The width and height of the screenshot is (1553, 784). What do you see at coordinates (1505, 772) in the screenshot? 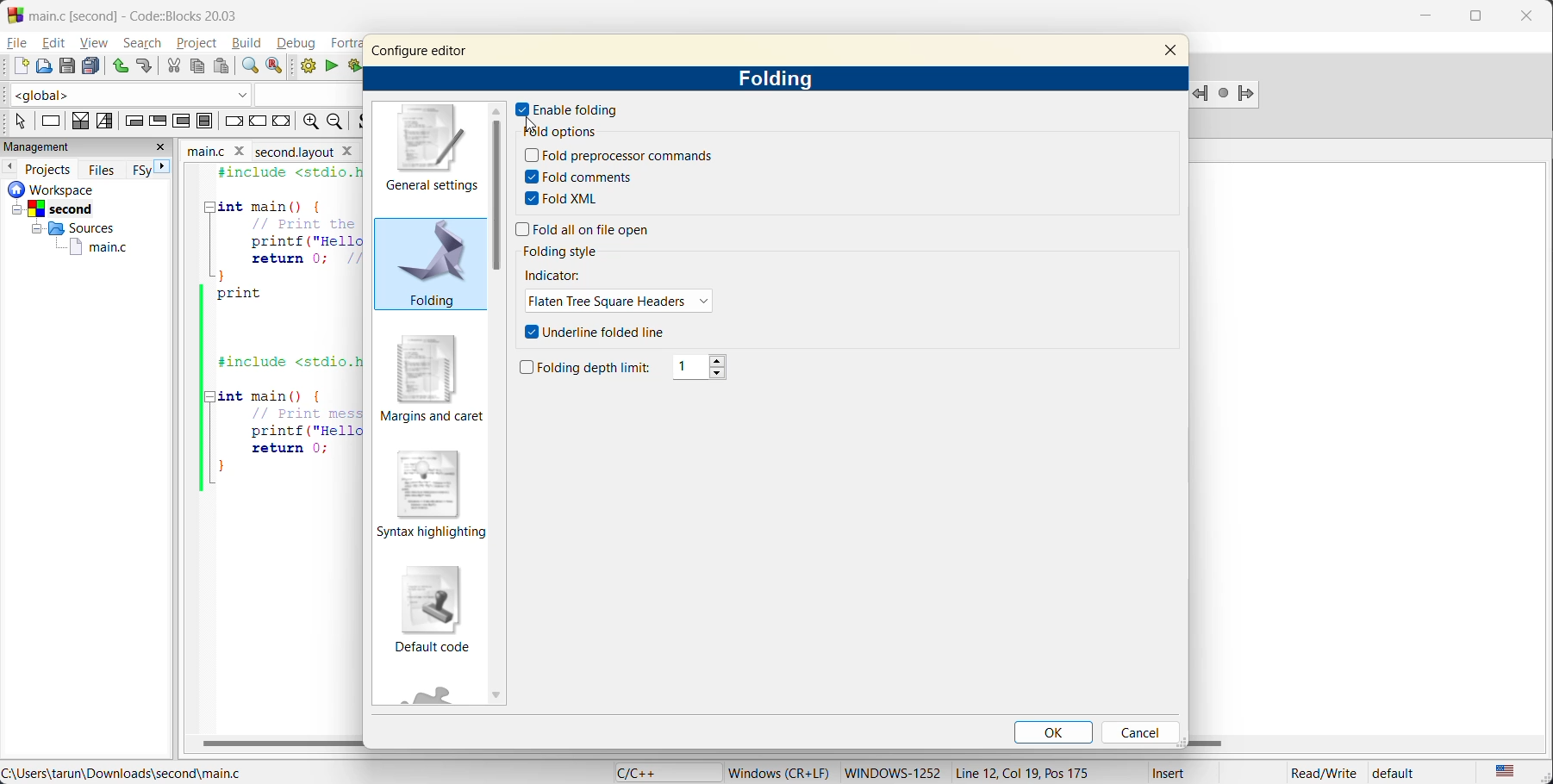
I see `text language` at bounding box center [1505, 772].